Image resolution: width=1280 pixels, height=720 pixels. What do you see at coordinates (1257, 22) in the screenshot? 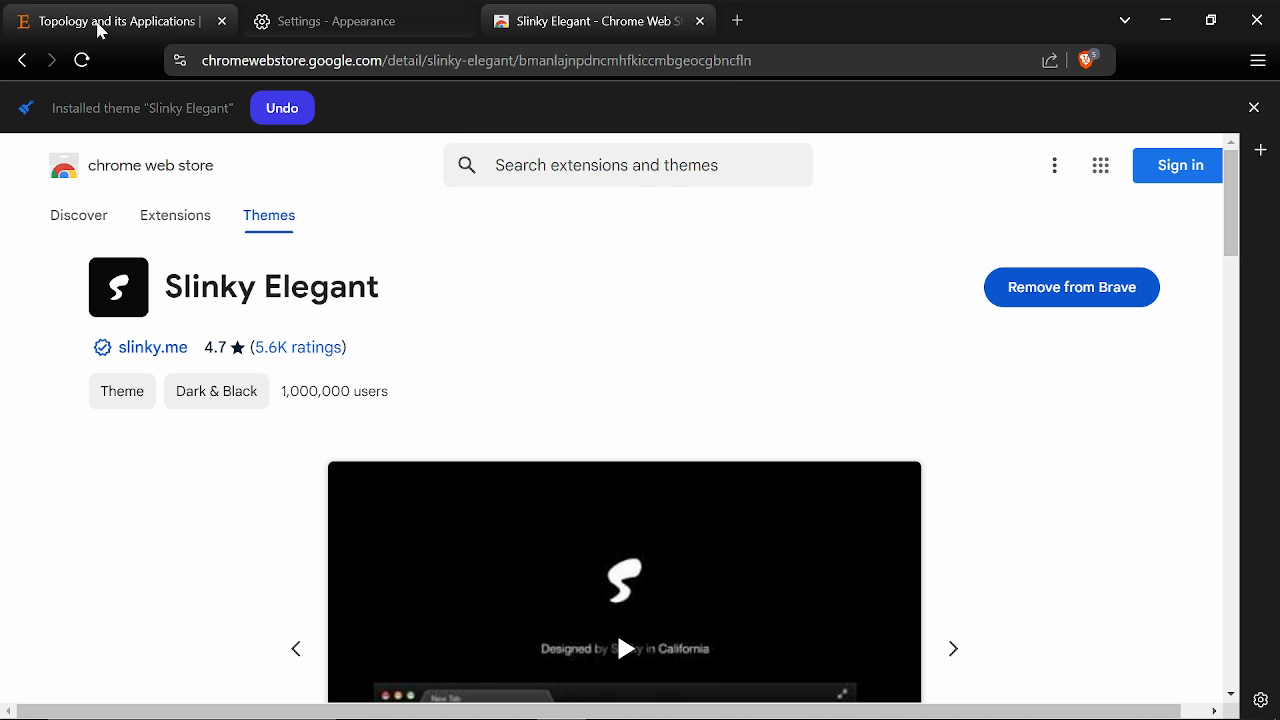
I see `Close` at bounding box center [1257, 22].